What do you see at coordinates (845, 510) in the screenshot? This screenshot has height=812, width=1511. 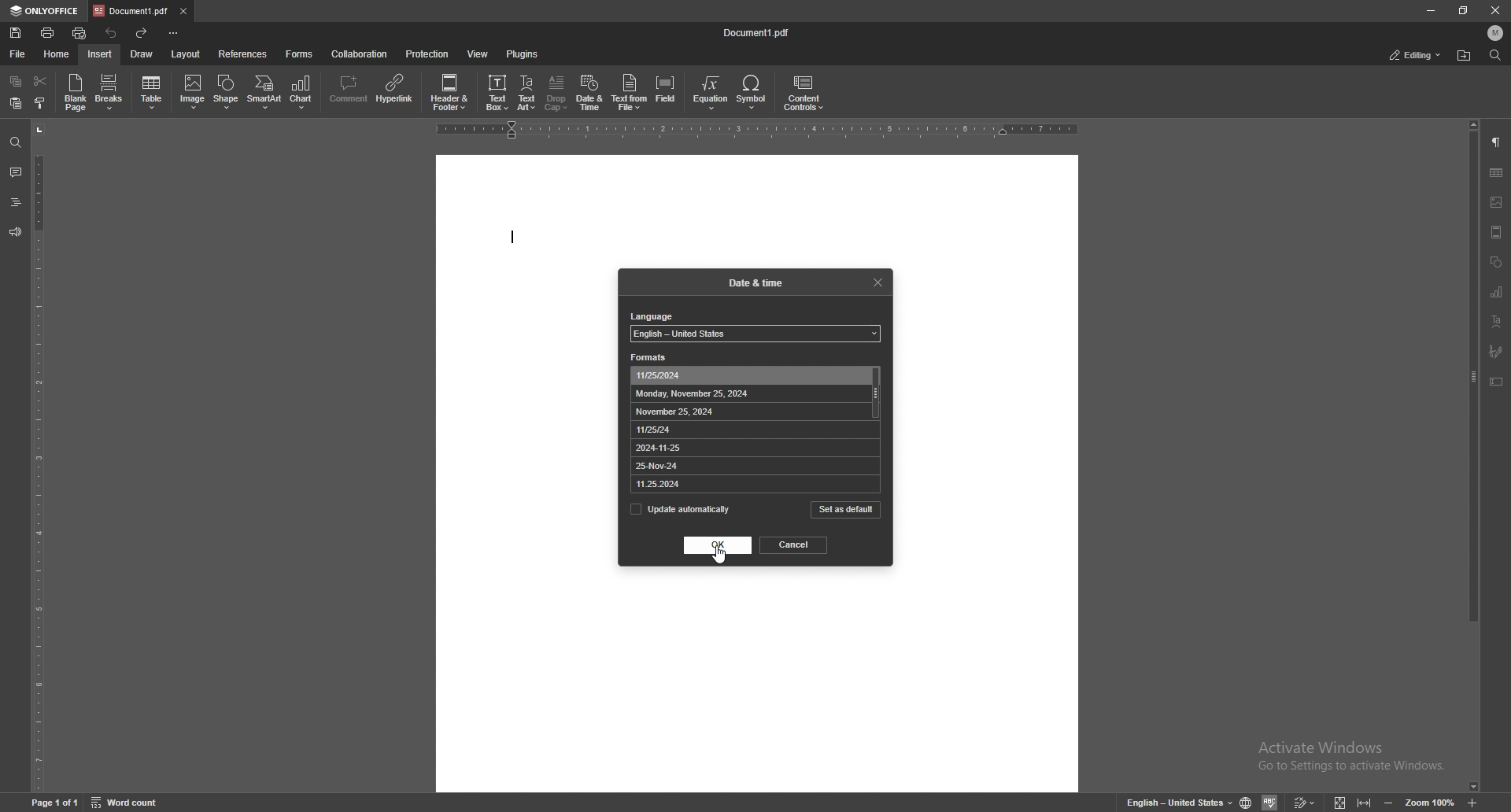 I see `set as default` at bounding box center [845, 510].